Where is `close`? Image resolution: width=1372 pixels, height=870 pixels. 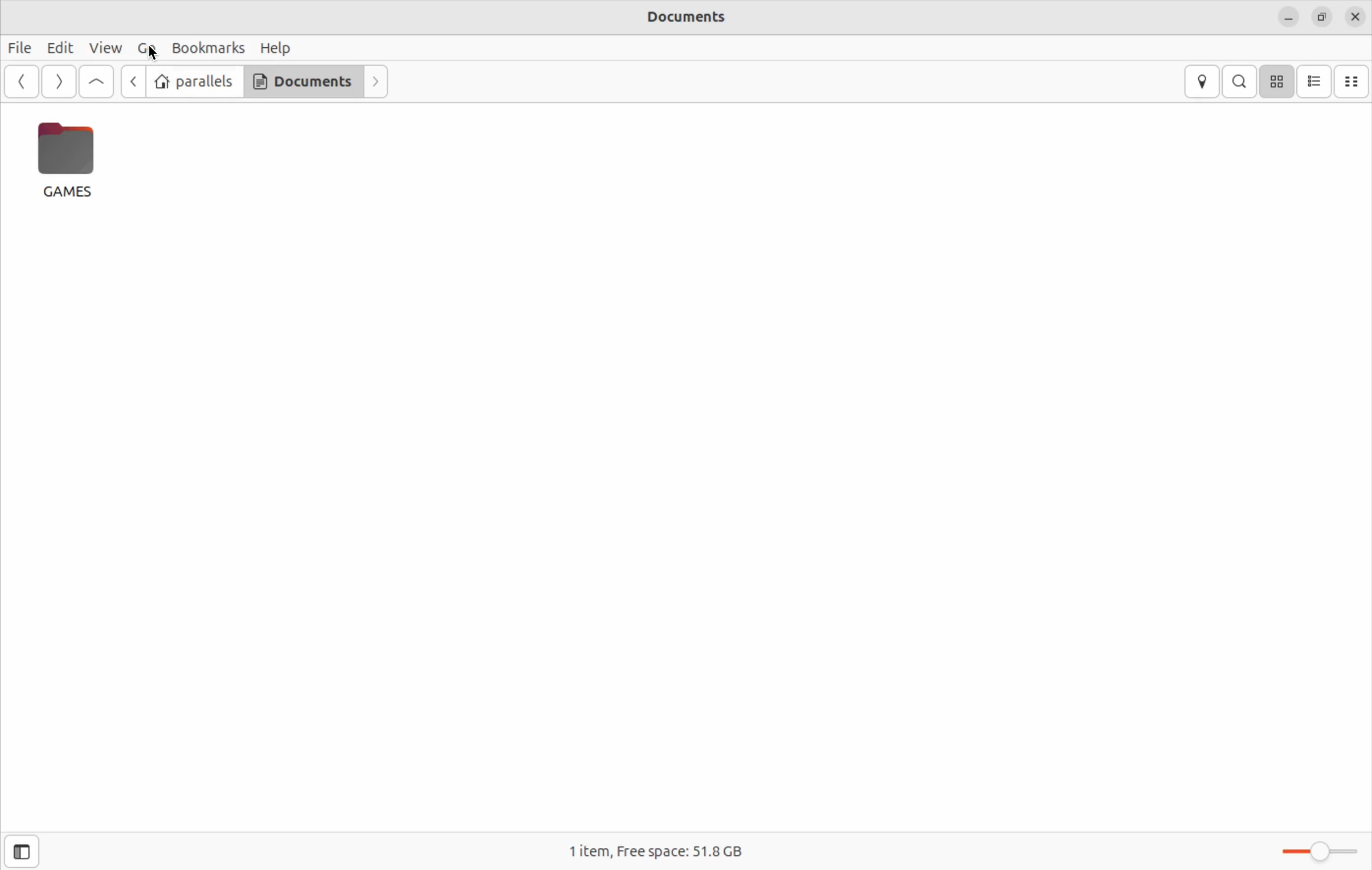 close is located at coordinates (1357, 16).